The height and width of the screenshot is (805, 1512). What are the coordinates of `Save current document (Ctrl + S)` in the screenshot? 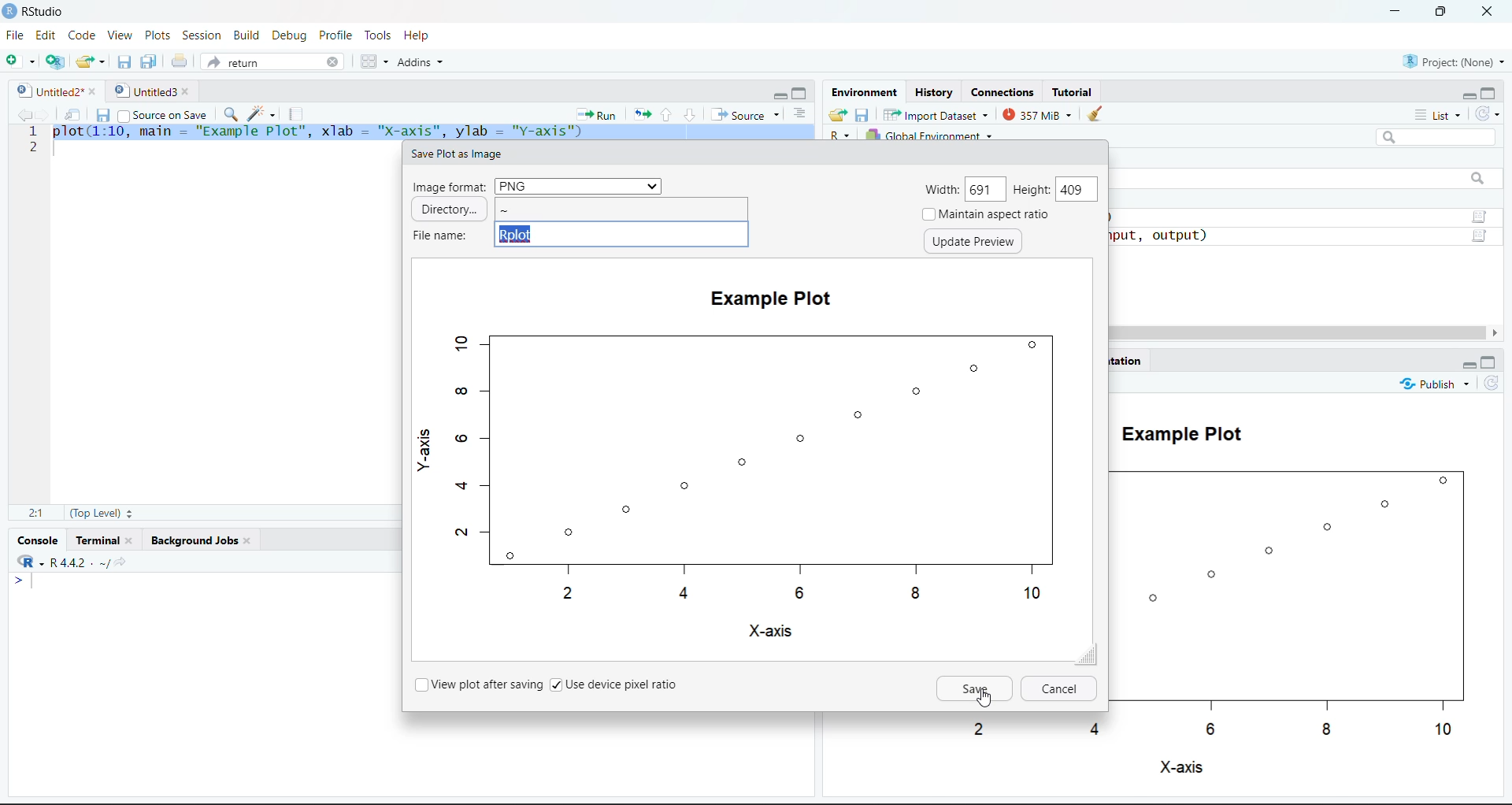 It's located at (102, 113).